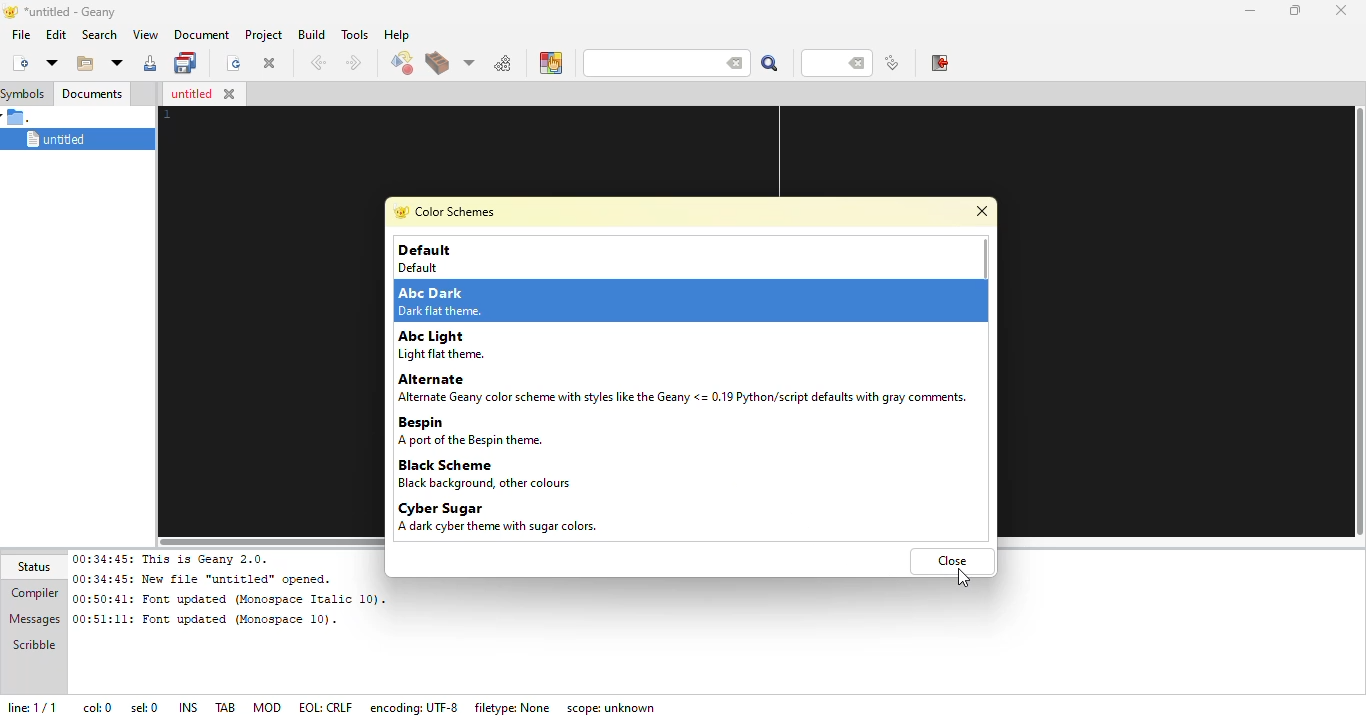  Describe the element at coordinates (25, 93) in the screenshot. I see `symbols` at that location.